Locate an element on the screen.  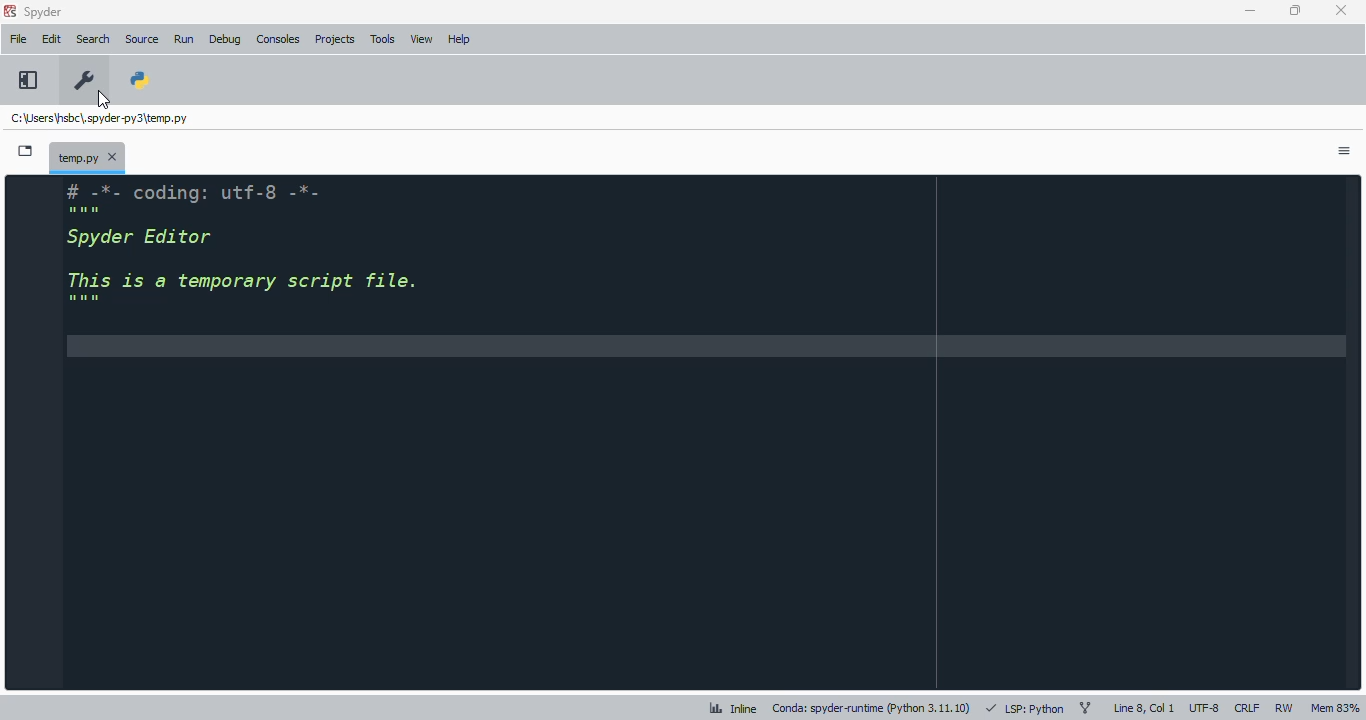
spyder is located at coordinates (44, 12).